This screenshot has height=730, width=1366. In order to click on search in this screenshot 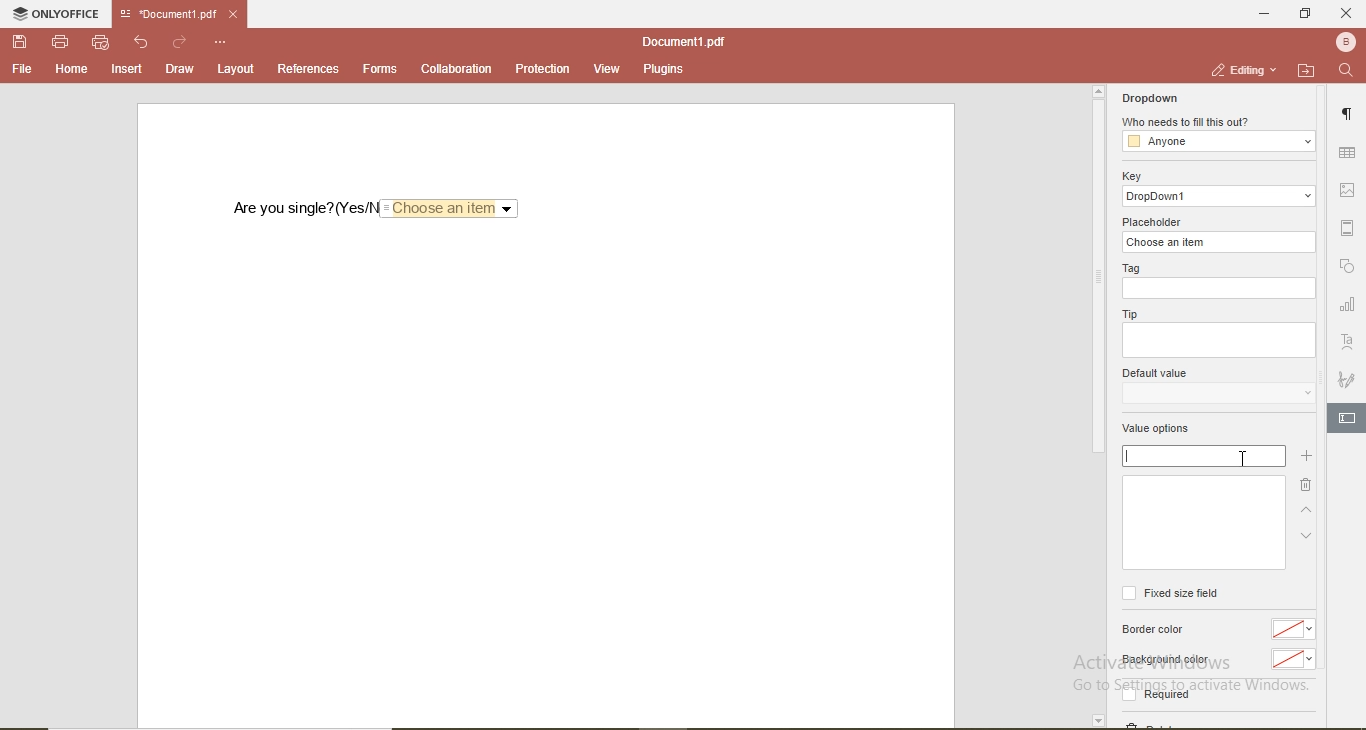, I will do `click(1349, 73)`.